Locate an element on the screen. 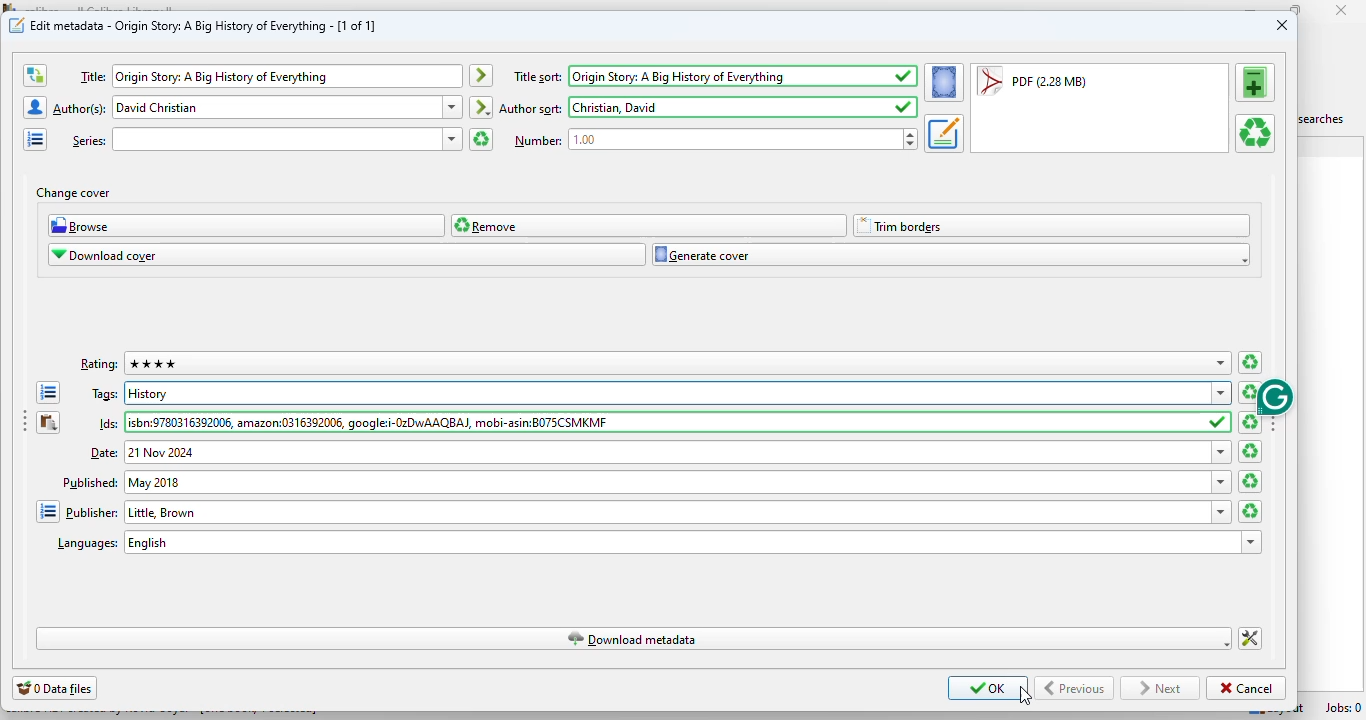 The height and width of the screenshot is (720, 1366). cursor is located at coordinates (1025, 696).